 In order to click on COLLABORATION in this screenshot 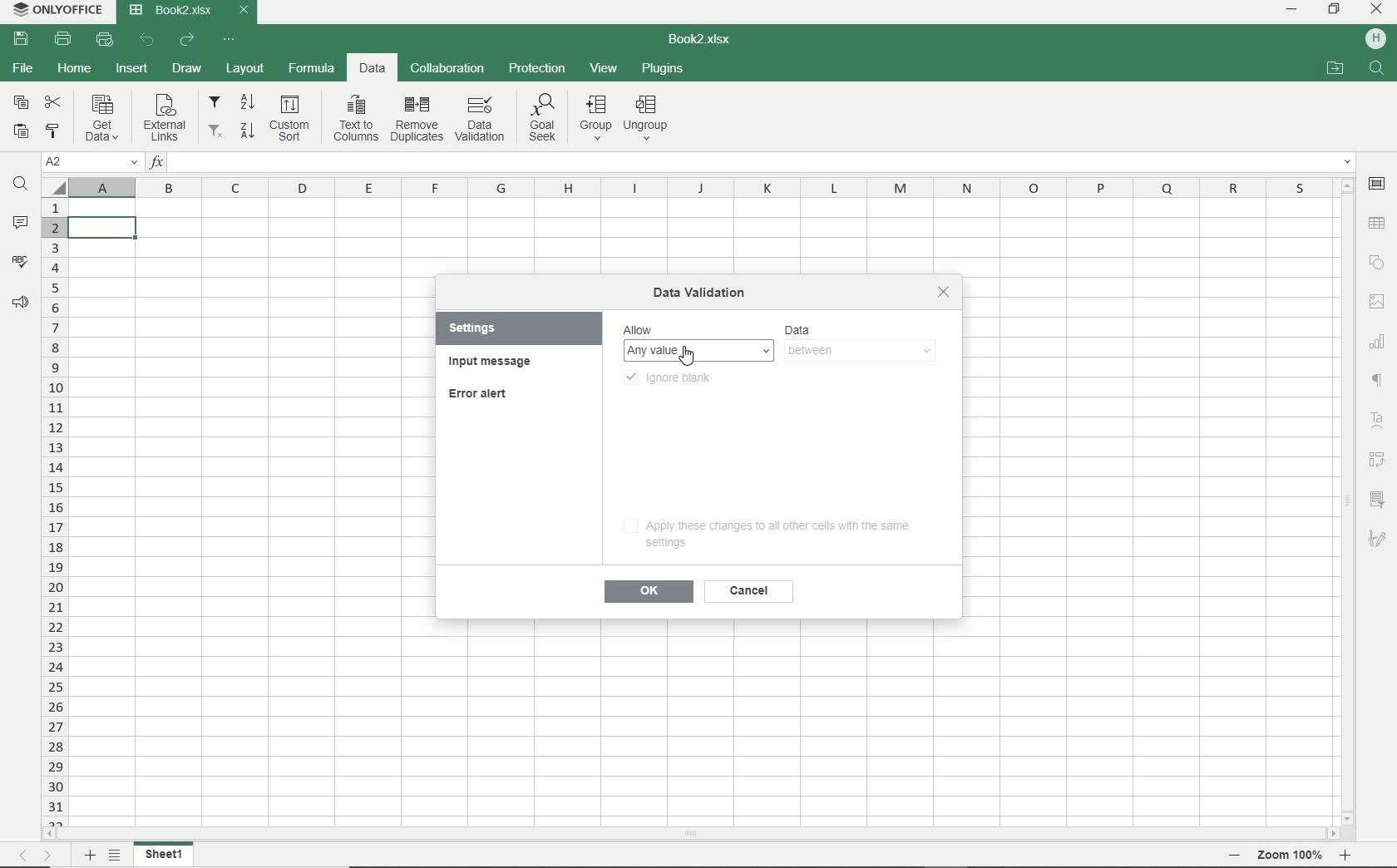, I will do `click(446, 69)`.